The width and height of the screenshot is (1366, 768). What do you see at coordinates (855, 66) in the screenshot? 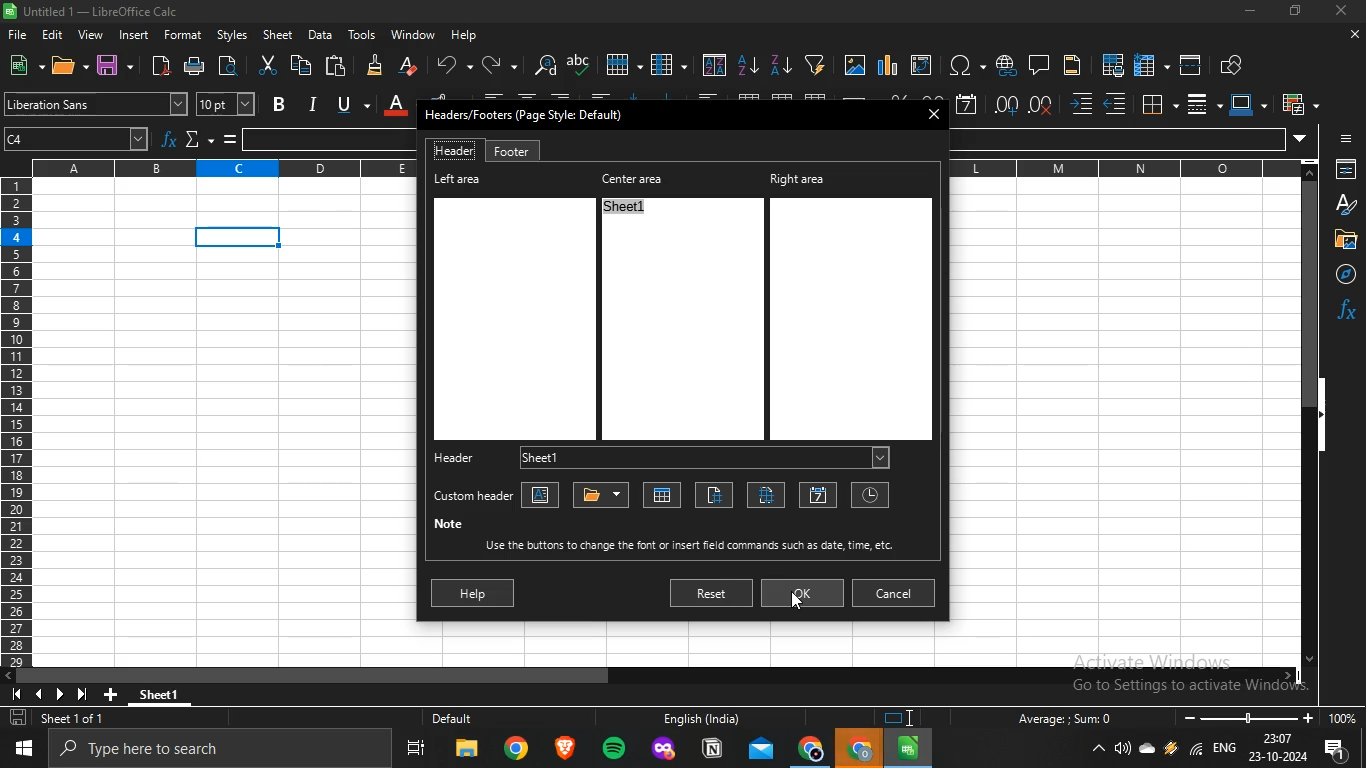
I see `insert images` at bounding box center [855, 66].